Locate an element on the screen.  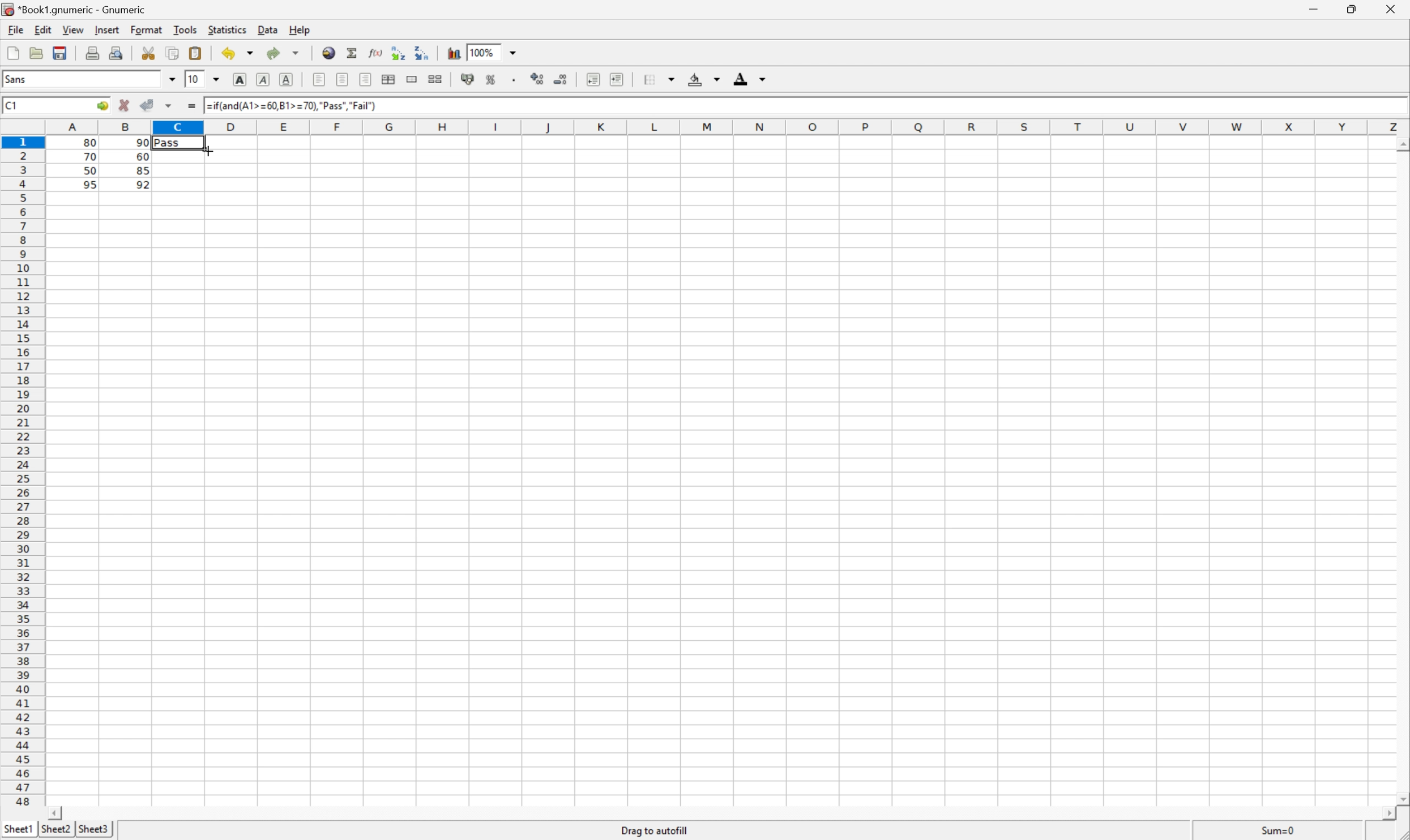
Print preview is located at coordinates (117, 53).